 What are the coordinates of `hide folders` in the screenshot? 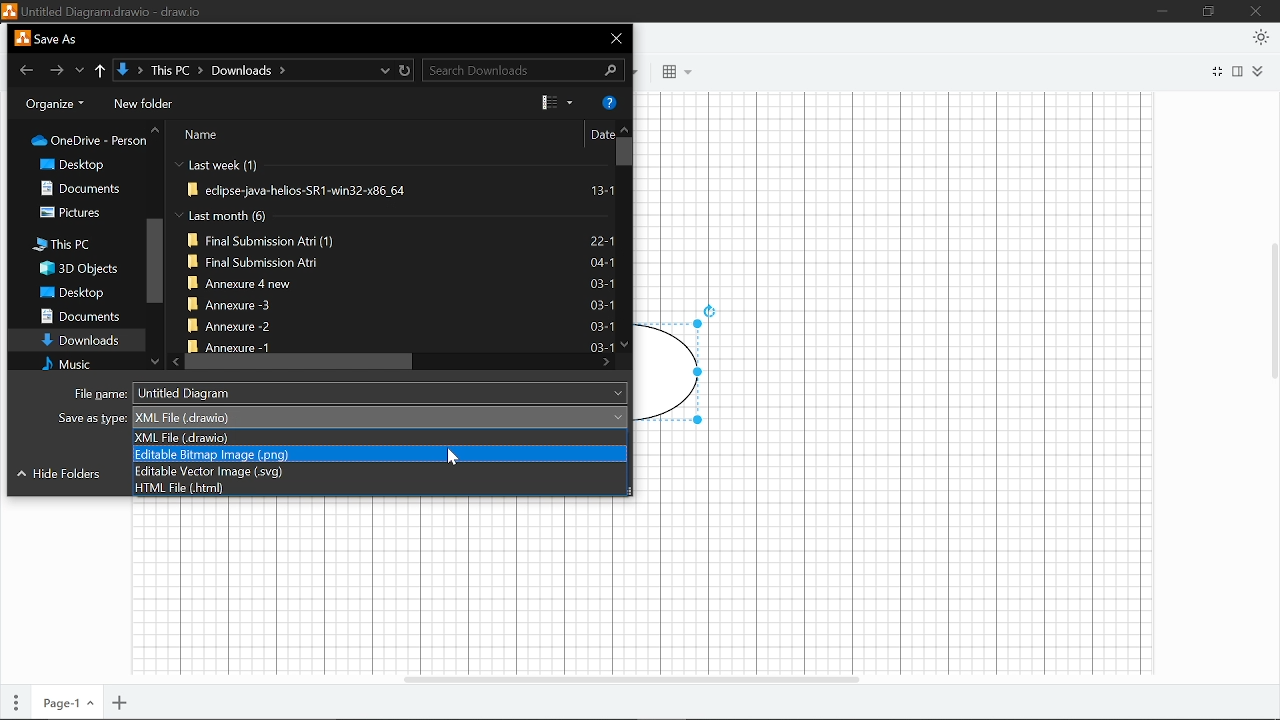 It's located at (61, 475).